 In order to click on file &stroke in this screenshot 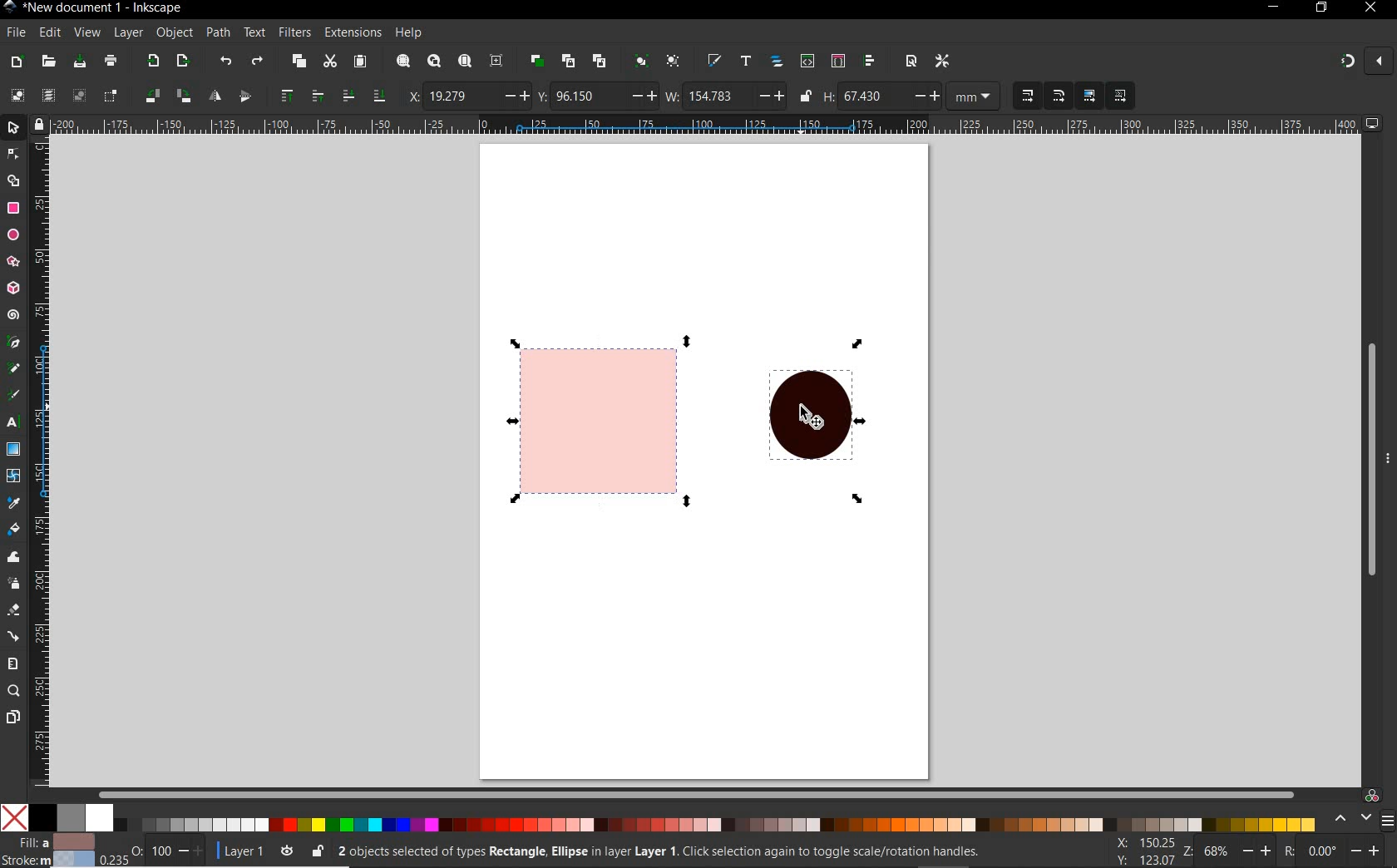, I will do `click(48, 850)`.